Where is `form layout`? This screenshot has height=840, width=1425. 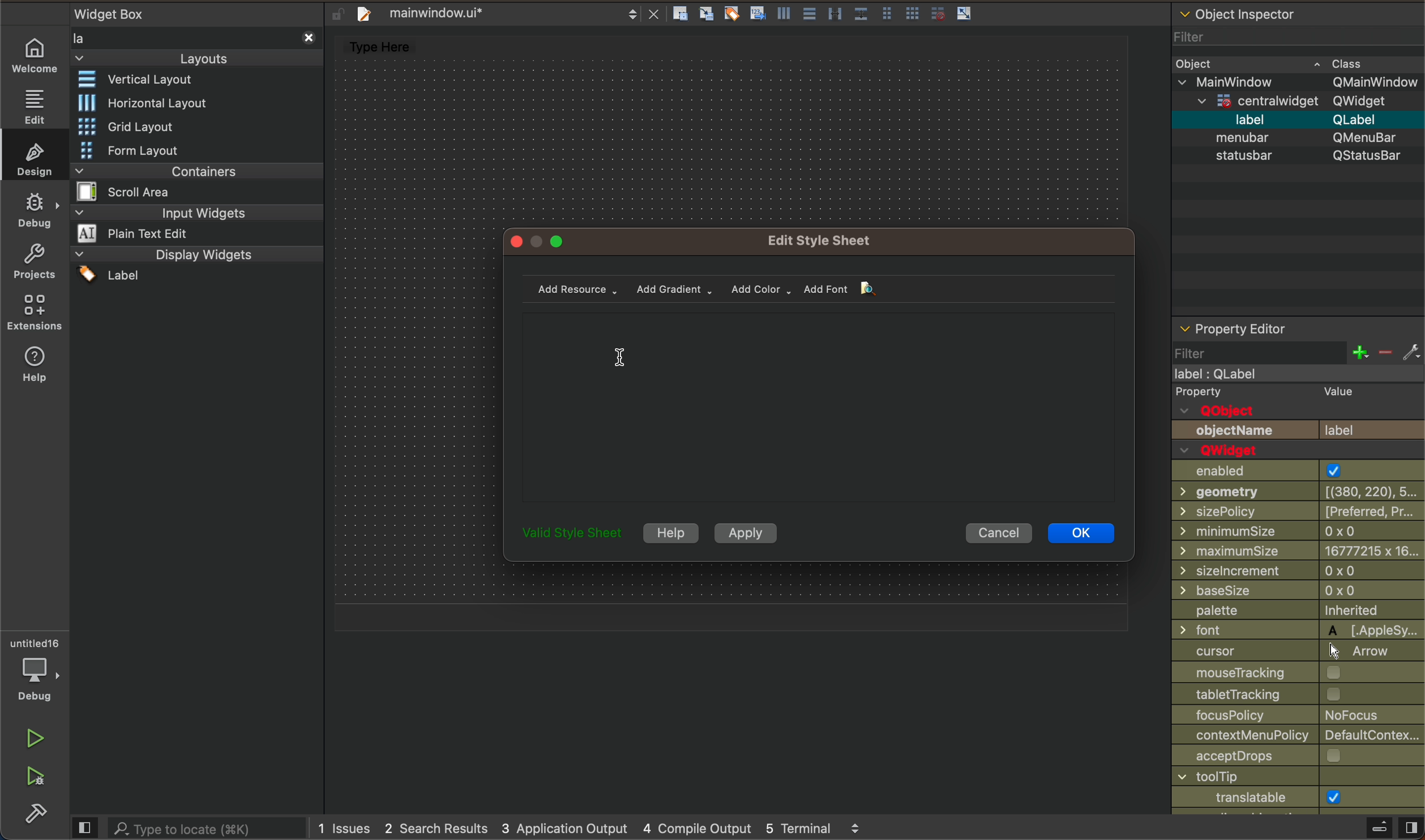 form layout is located at coordinates (138, 150).